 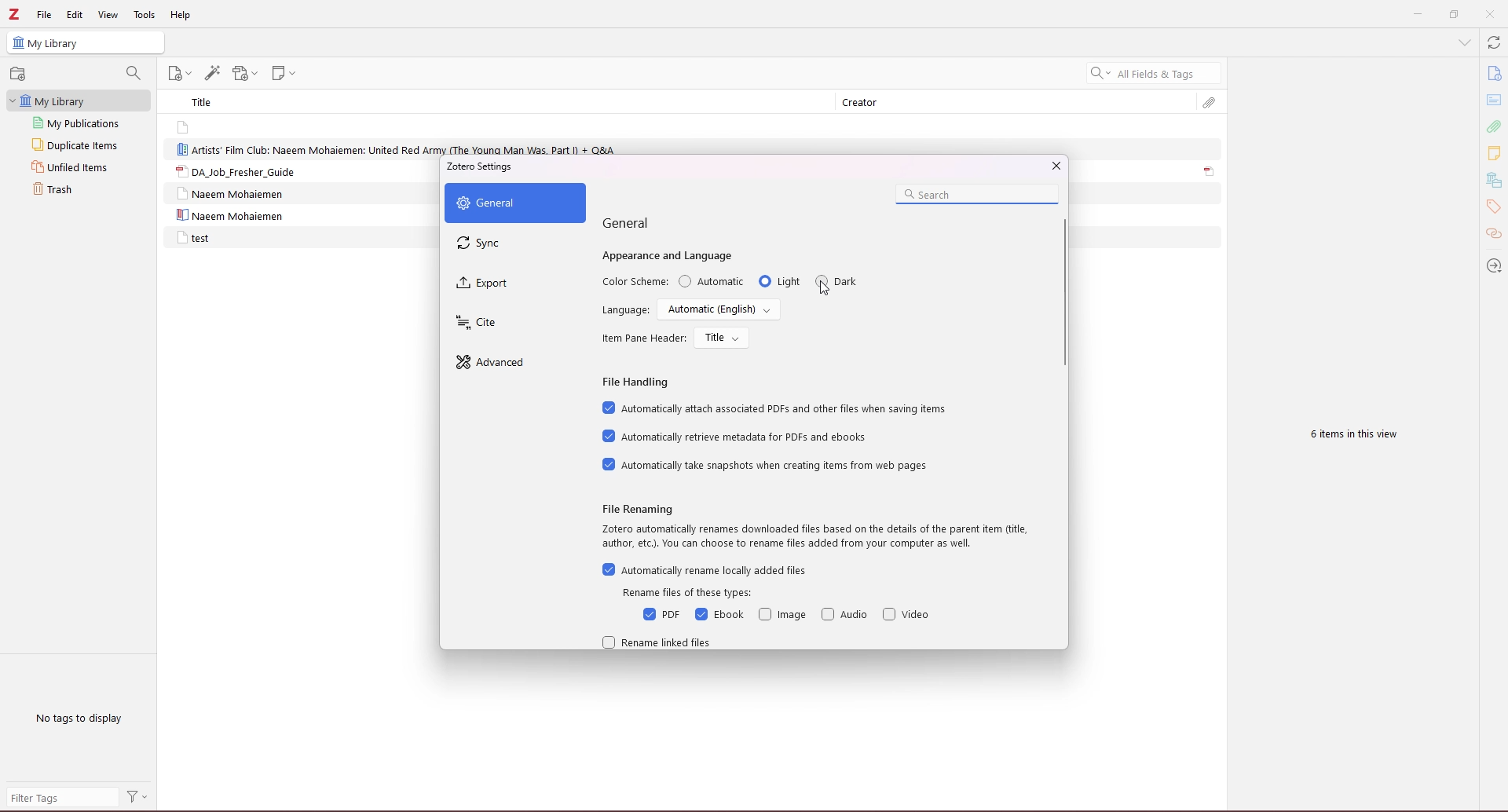 What do you see at coordinates (399, 148) in the screenshot?
I see `Artists’ Film Club: Naeem Mohaiemen: United Red Army (The Young Man Was, Part I) + Q&A` at bounding box center [399, 148].